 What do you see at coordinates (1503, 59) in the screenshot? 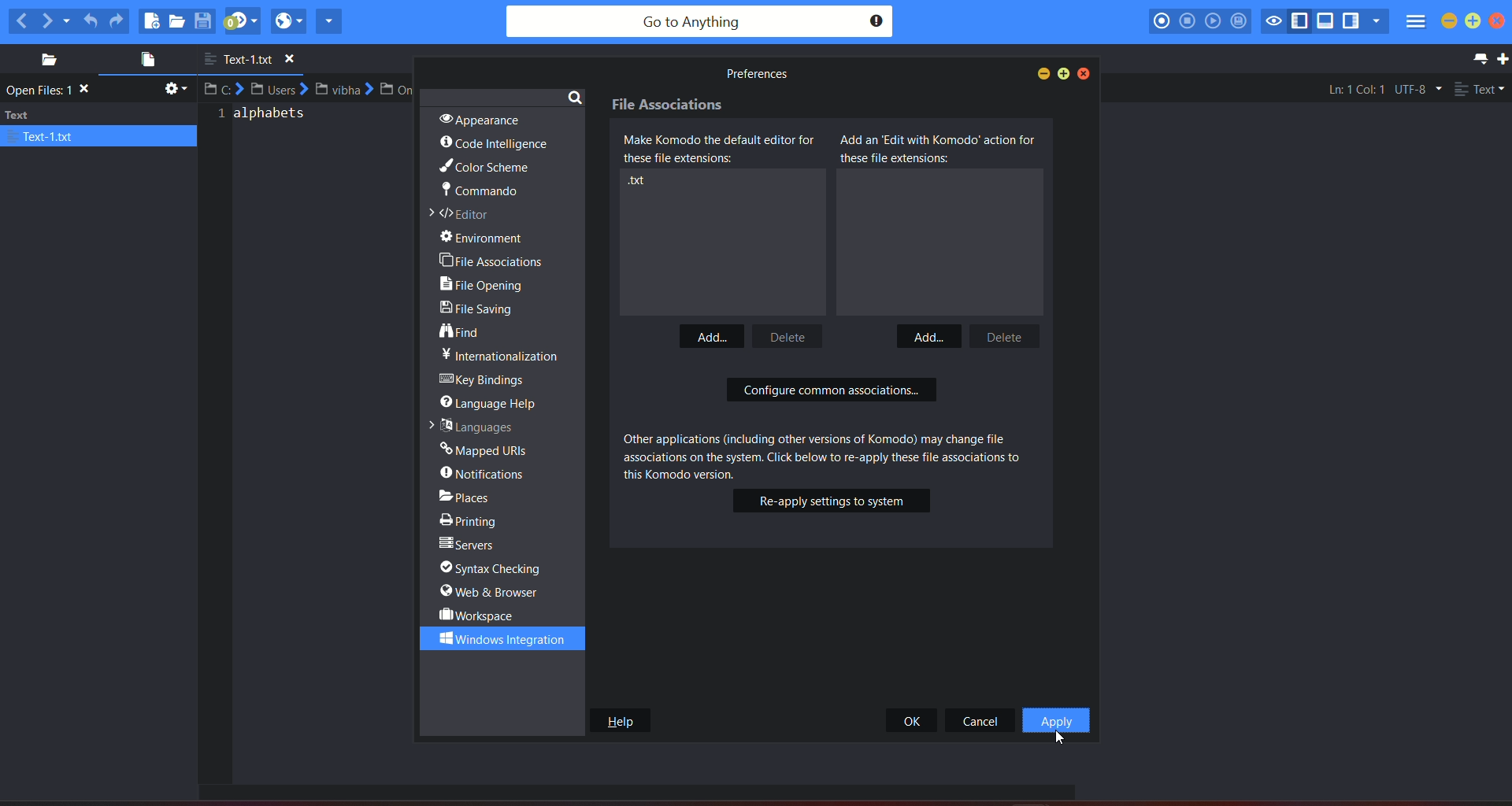
I see `new tab` at bounding box center [1503, 59].